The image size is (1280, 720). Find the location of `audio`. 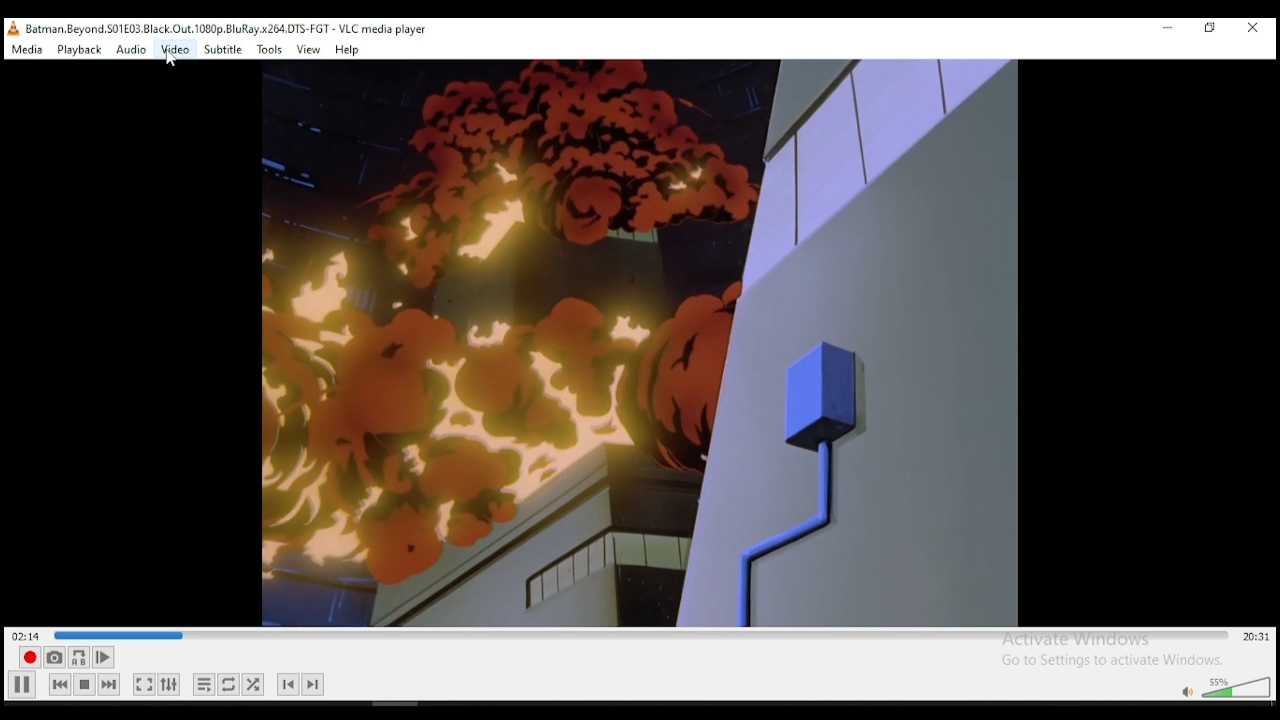

audio is located at coordinates (130, 50).